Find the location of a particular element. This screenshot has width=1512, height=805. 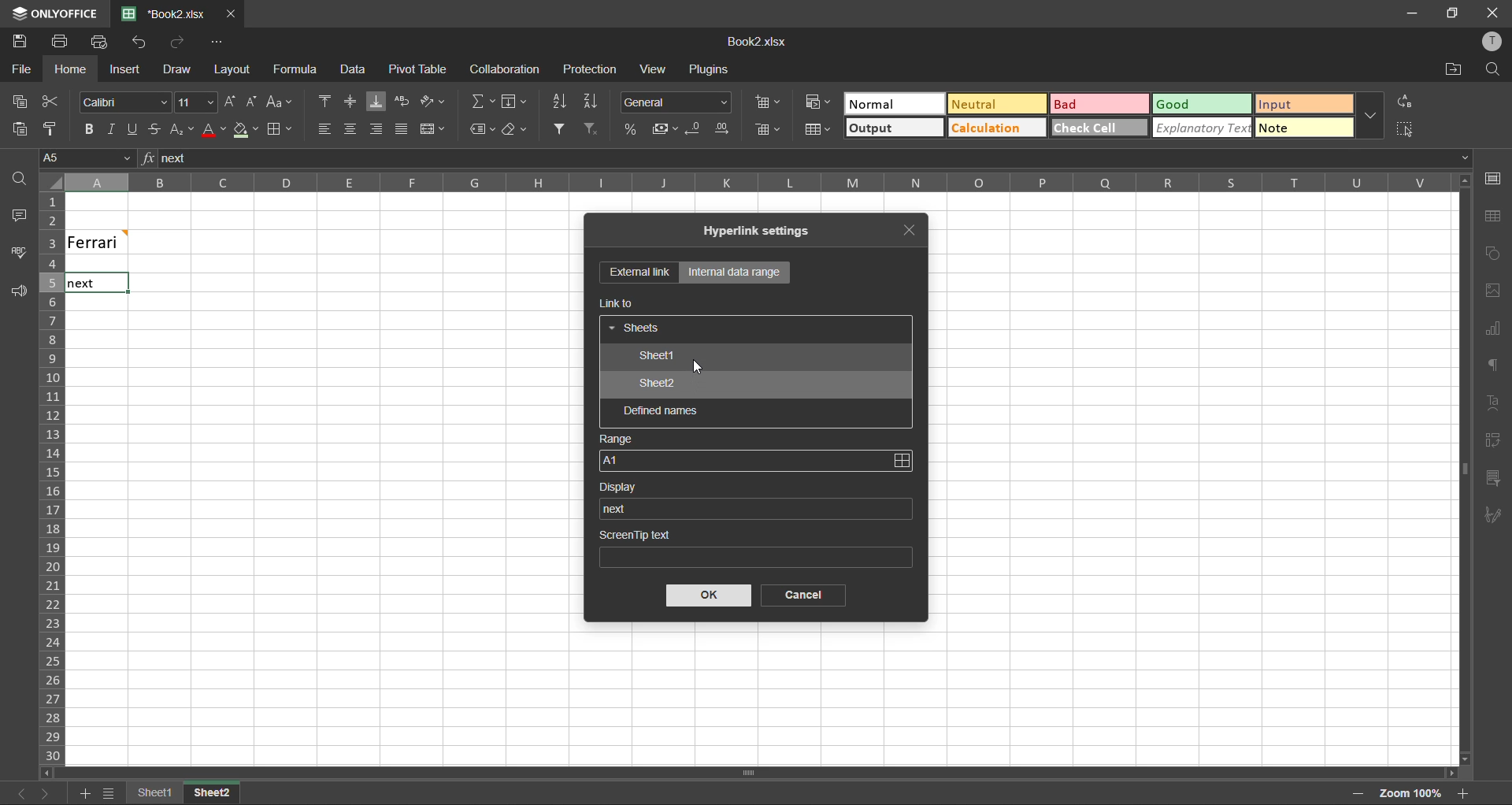

align  right is located at coordinates (377, 133).